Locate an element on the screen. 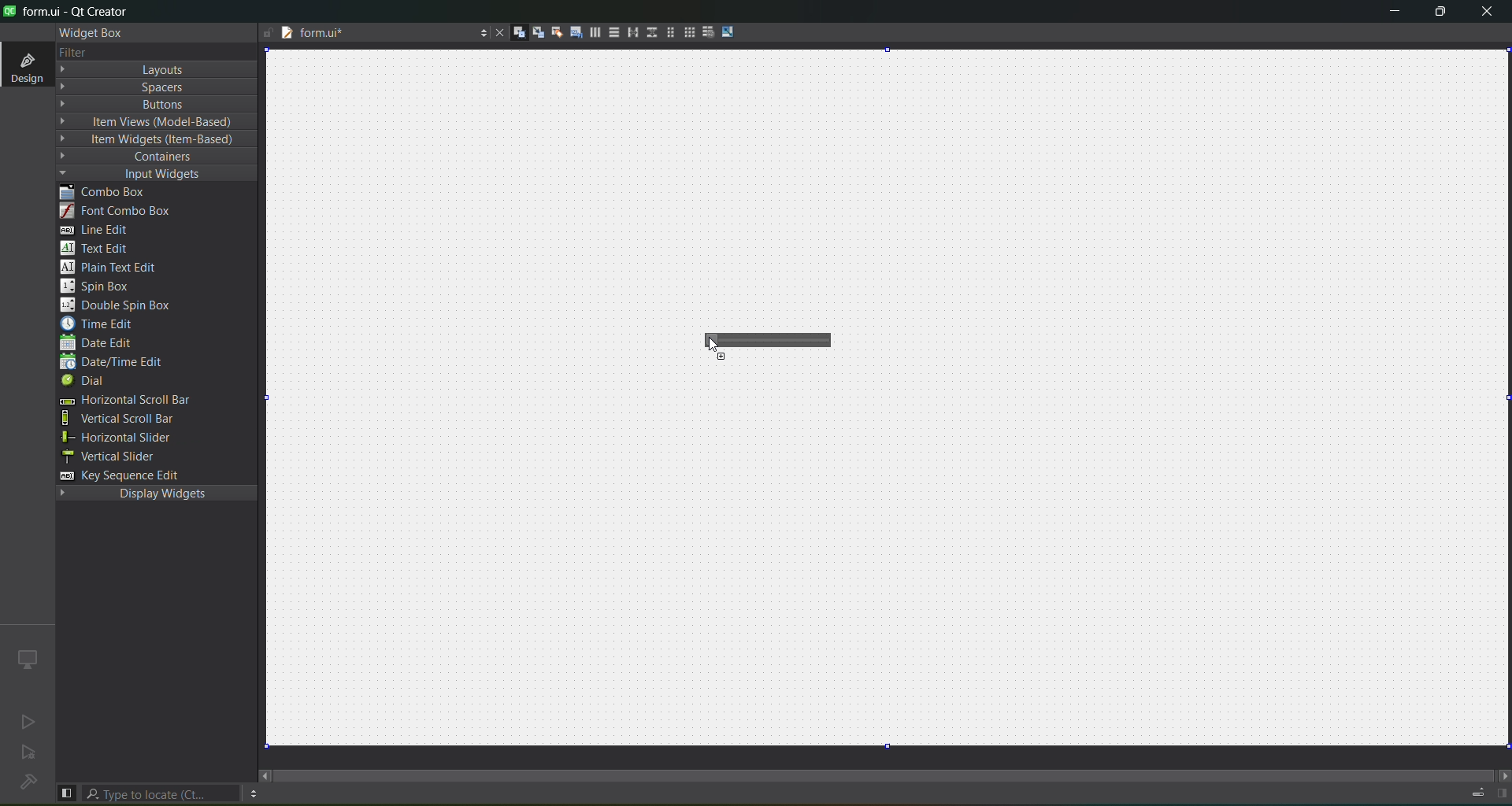 The image size is (1512, 806). signals is located at coordinates (532, 31).